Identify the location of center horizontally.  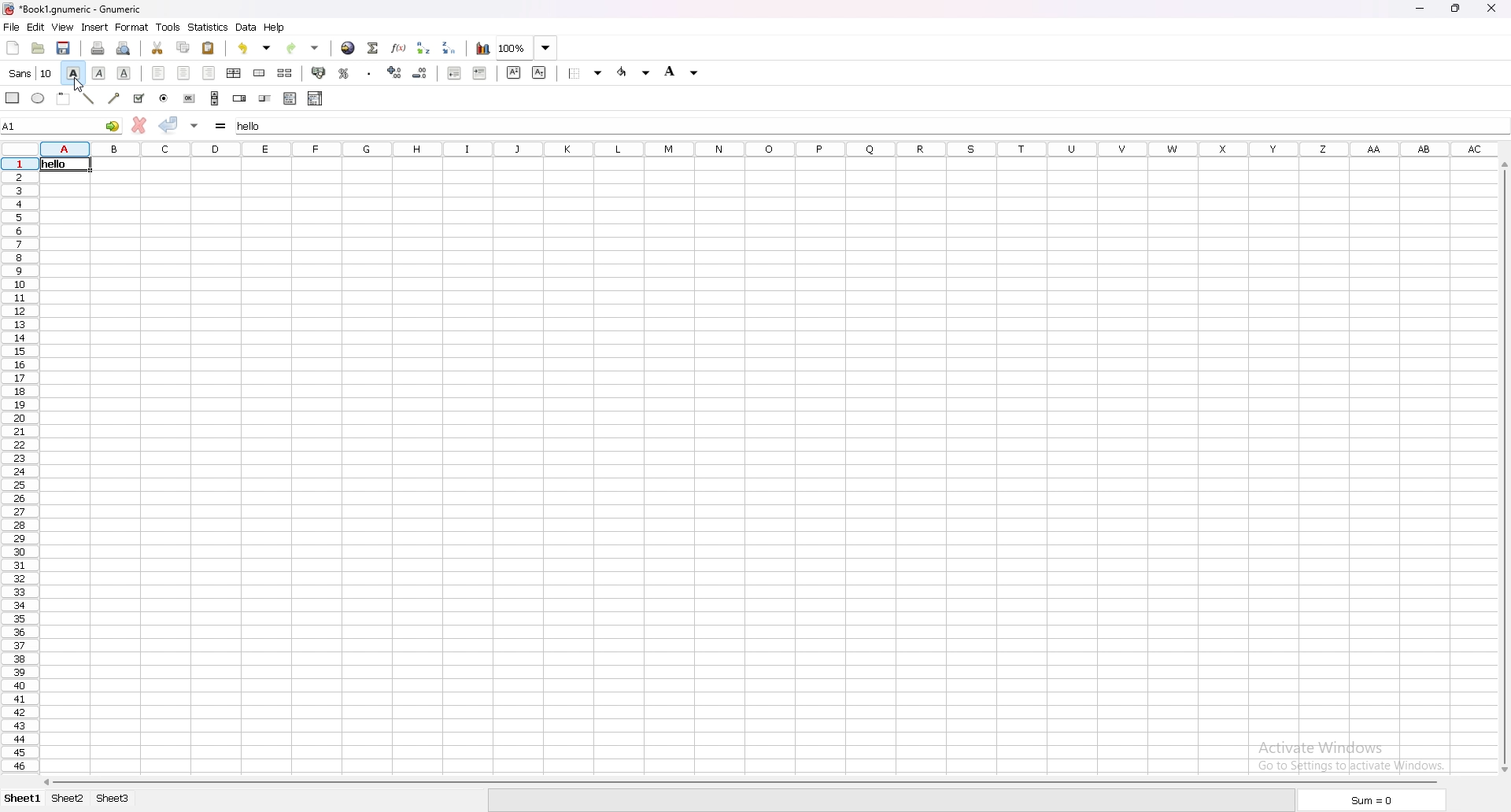
(235, 72).